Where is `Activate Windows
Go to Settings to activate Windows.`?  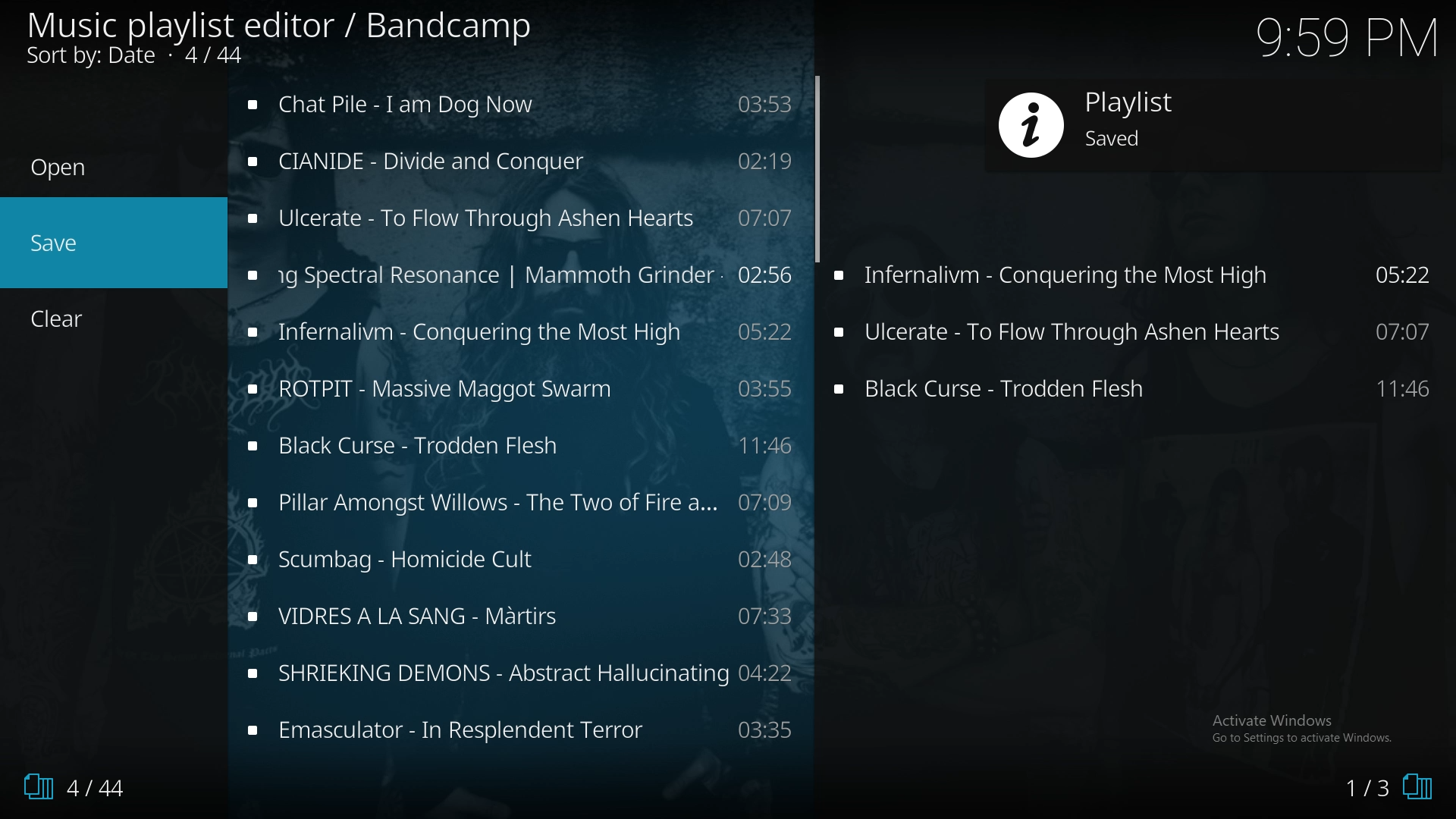 Activate Windows
Go to Settings to activate Windows. is located at coordinates (1303, 726).